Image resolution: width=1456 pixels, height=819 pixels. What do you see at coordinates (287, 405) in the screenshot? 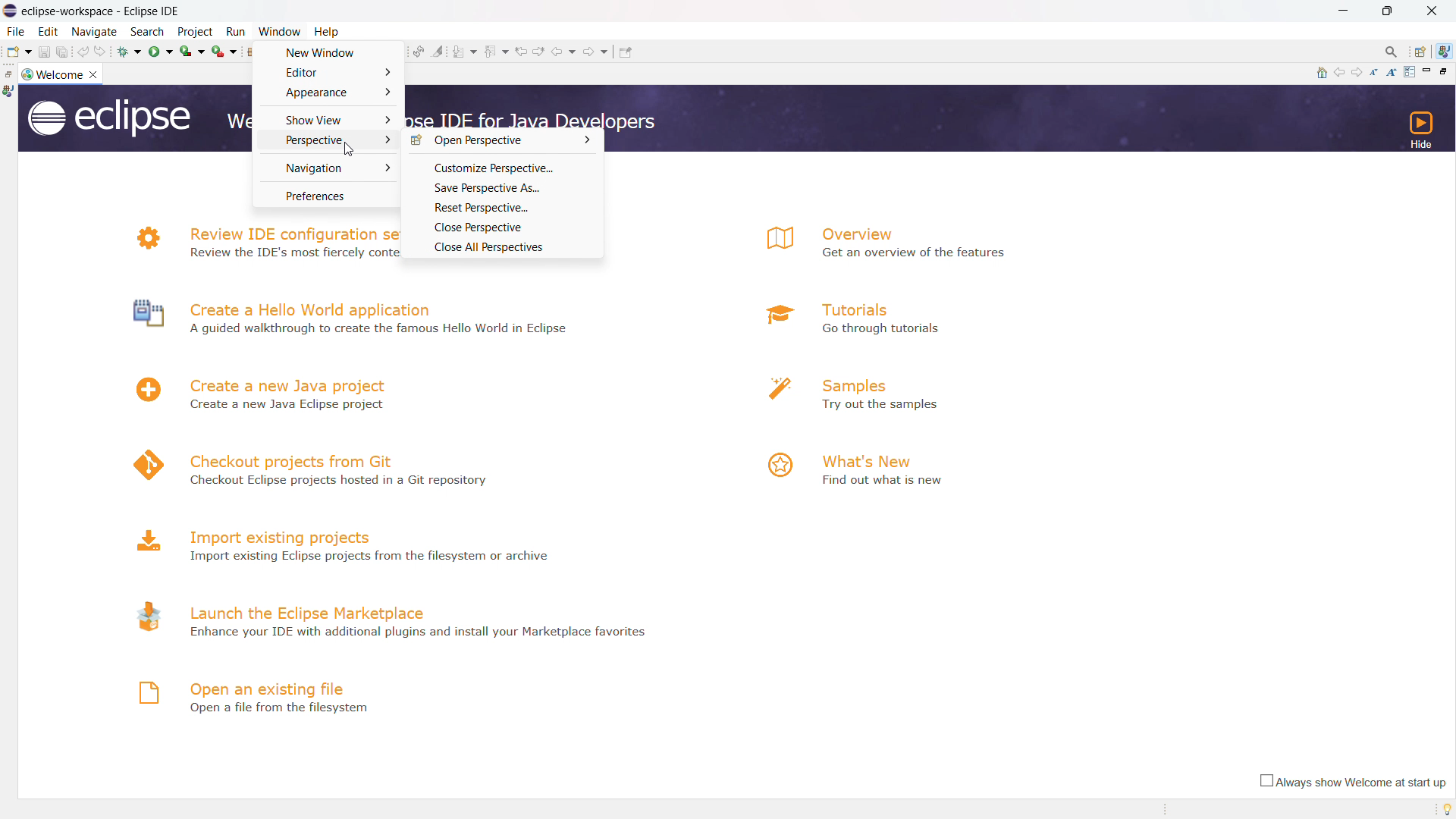
I see `Create a new Java Eclipse project` at bounding box center [287, 405].